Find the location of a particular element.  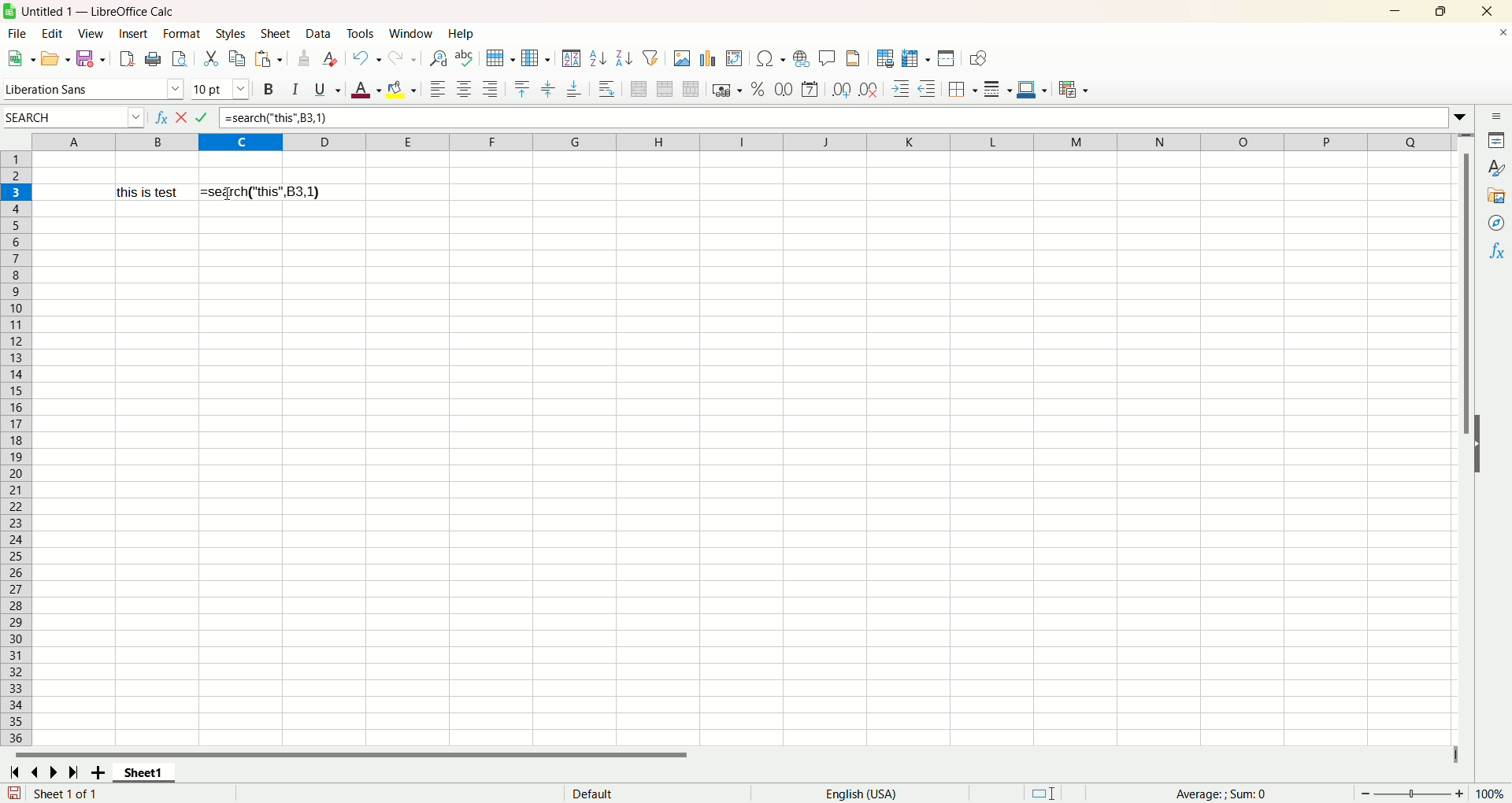

English(USA) is located at coordinates (866, 793).